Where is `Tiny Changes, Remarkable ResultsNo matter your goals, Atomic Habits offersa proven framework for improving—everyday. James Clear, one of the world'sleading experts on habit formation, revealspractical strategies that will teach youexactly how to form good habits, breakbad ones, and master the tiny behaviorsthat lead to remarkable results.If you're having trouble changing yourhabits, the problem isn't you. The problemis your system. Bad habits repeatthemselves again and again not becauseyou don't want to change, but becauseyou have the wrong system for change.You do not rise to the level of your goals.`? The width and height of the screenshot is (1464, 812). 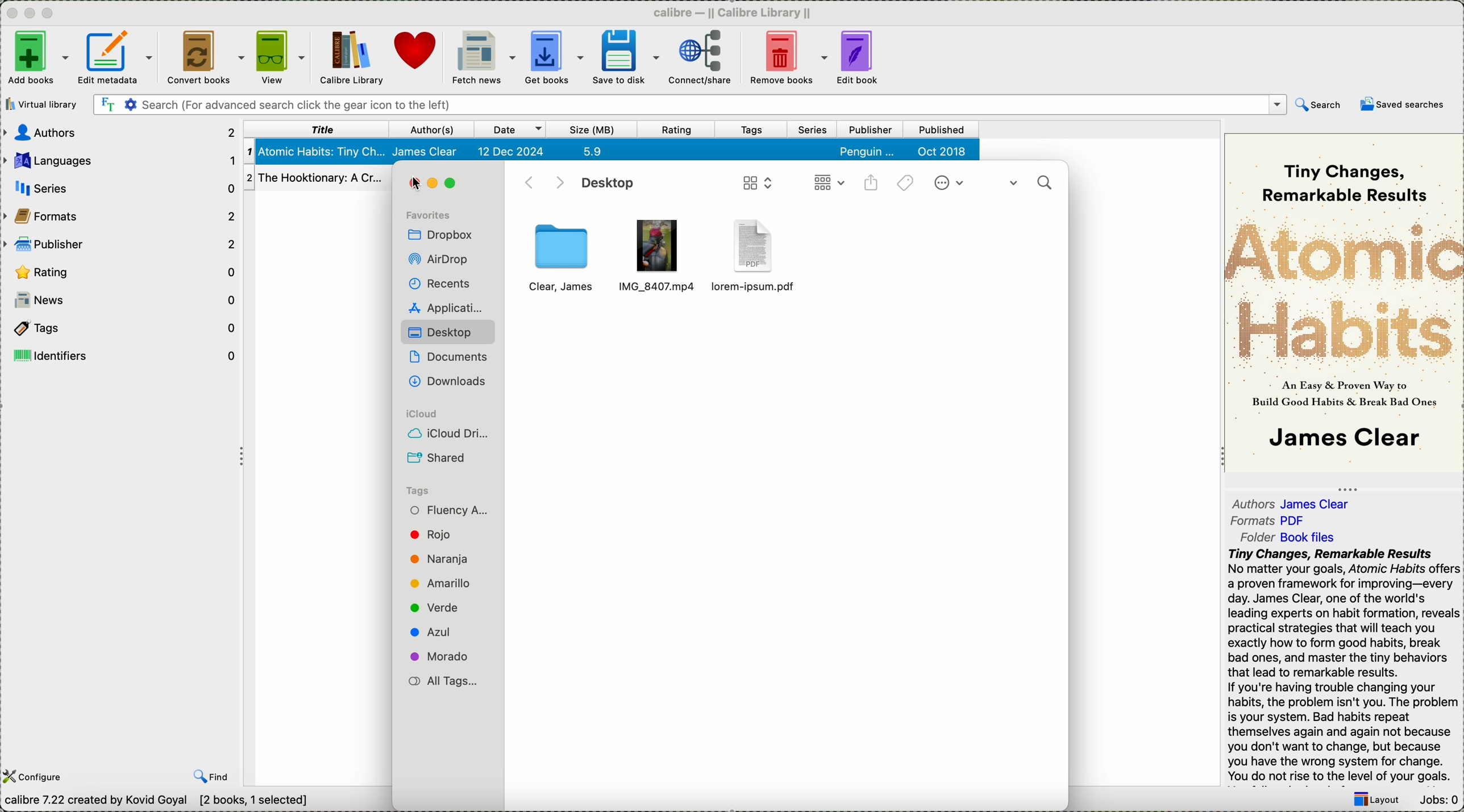
Tiny Changes, Remarkable ResultsNo matter your goals, Atomic Habits offersa proven framework for improving—everyday. James Clear, one of the world'sleading experts on habit formation, revealspractical strategies that will teach youexactly how to form good habits, breakbad ones, and master the tiny behaviorsthat lead to remarkable results.If you're having trouble changing yourhabits, the problem isn't you. The problemis your system. Bad habits repeatthemselves again and again not becauseyou don't want to change, but becauseyou have the wrong system for change.You do not rise to the level of your goals. is located at coordinates (1337, 665).